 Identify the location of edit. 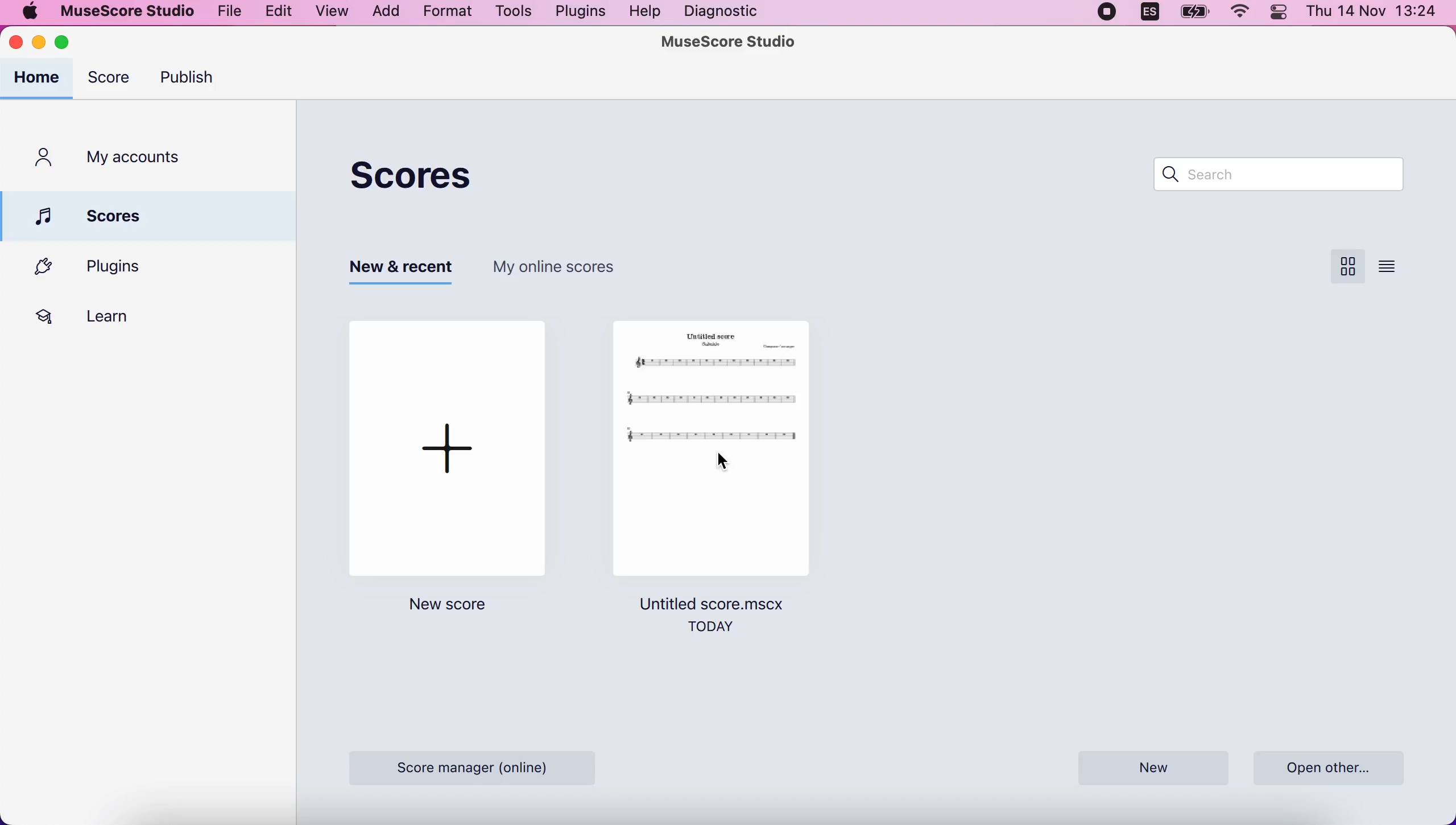
(275, 14).